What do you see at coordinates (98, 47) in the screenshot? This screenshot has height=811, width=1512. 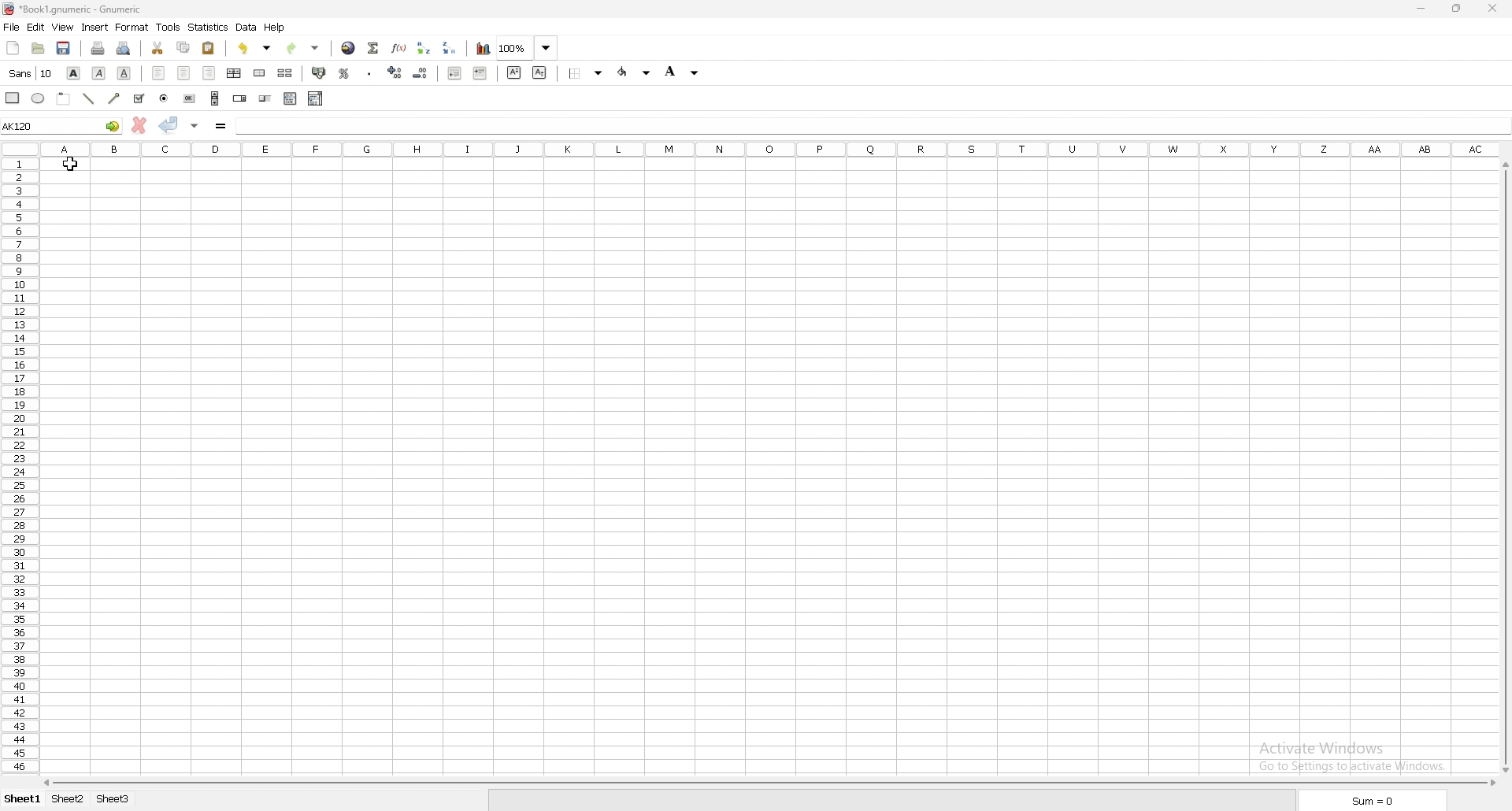 I see `print` at bounding box center [98, 47].